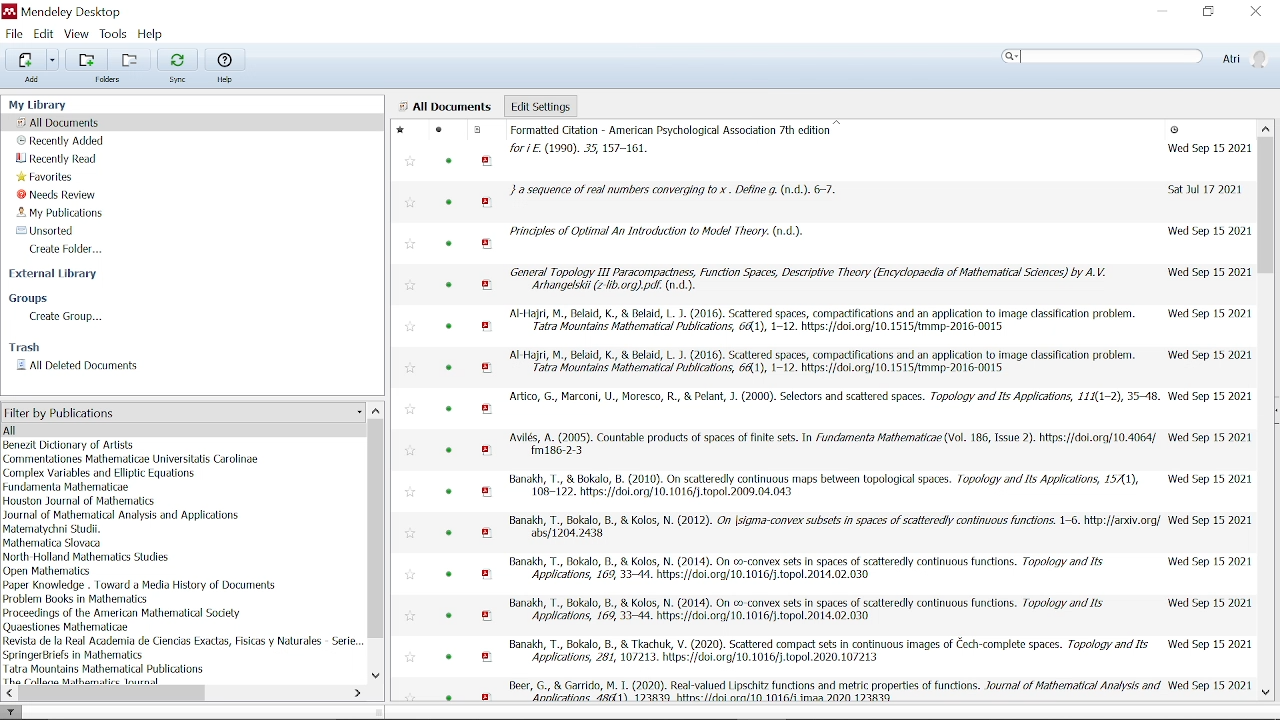  What do you see at coordinates (89, 60) in the screenshot?
I see `Add folders` at bounding box center [89, 60].